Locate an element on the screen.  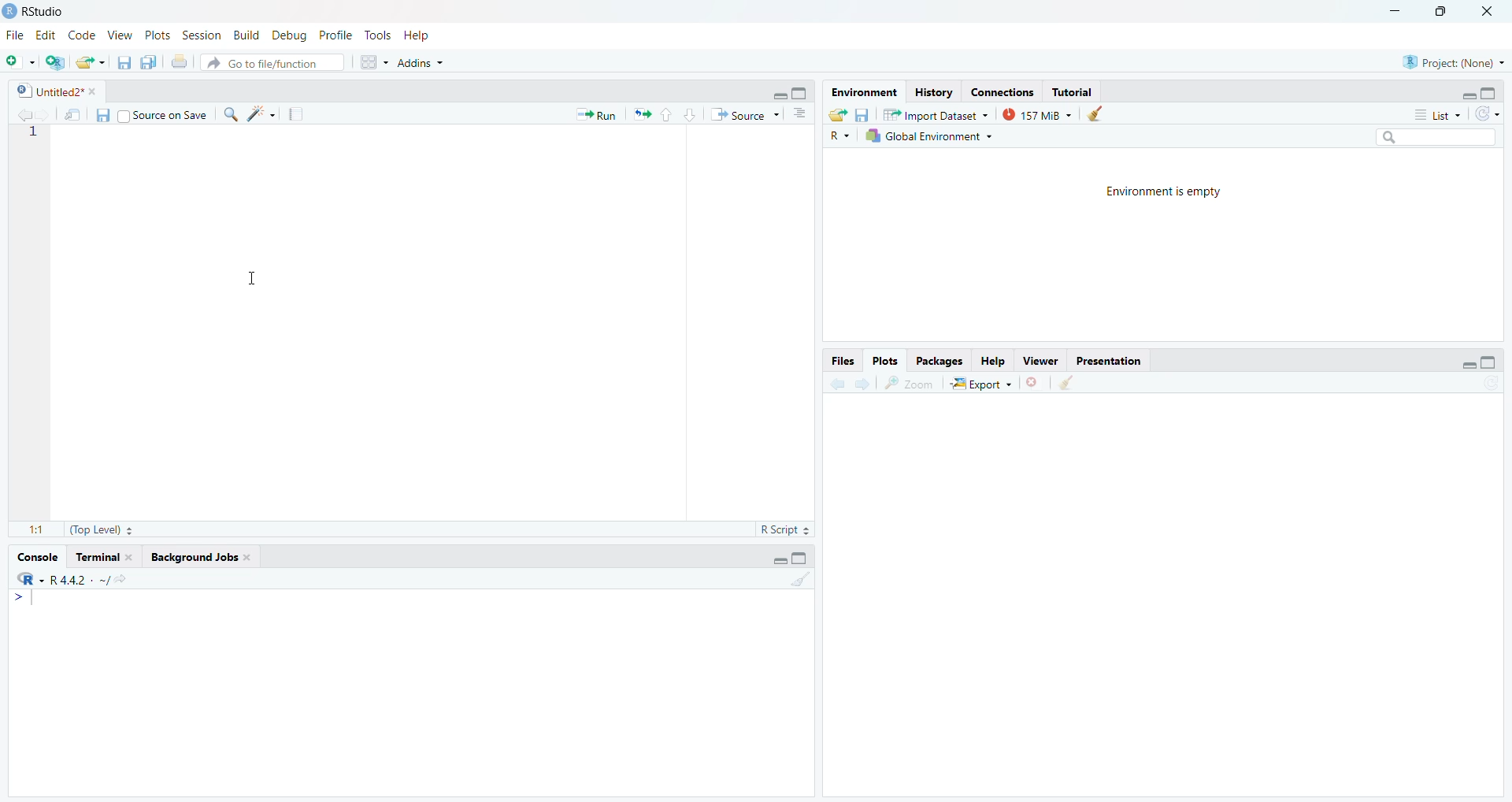
Packages is located at coordinates (942, 361).